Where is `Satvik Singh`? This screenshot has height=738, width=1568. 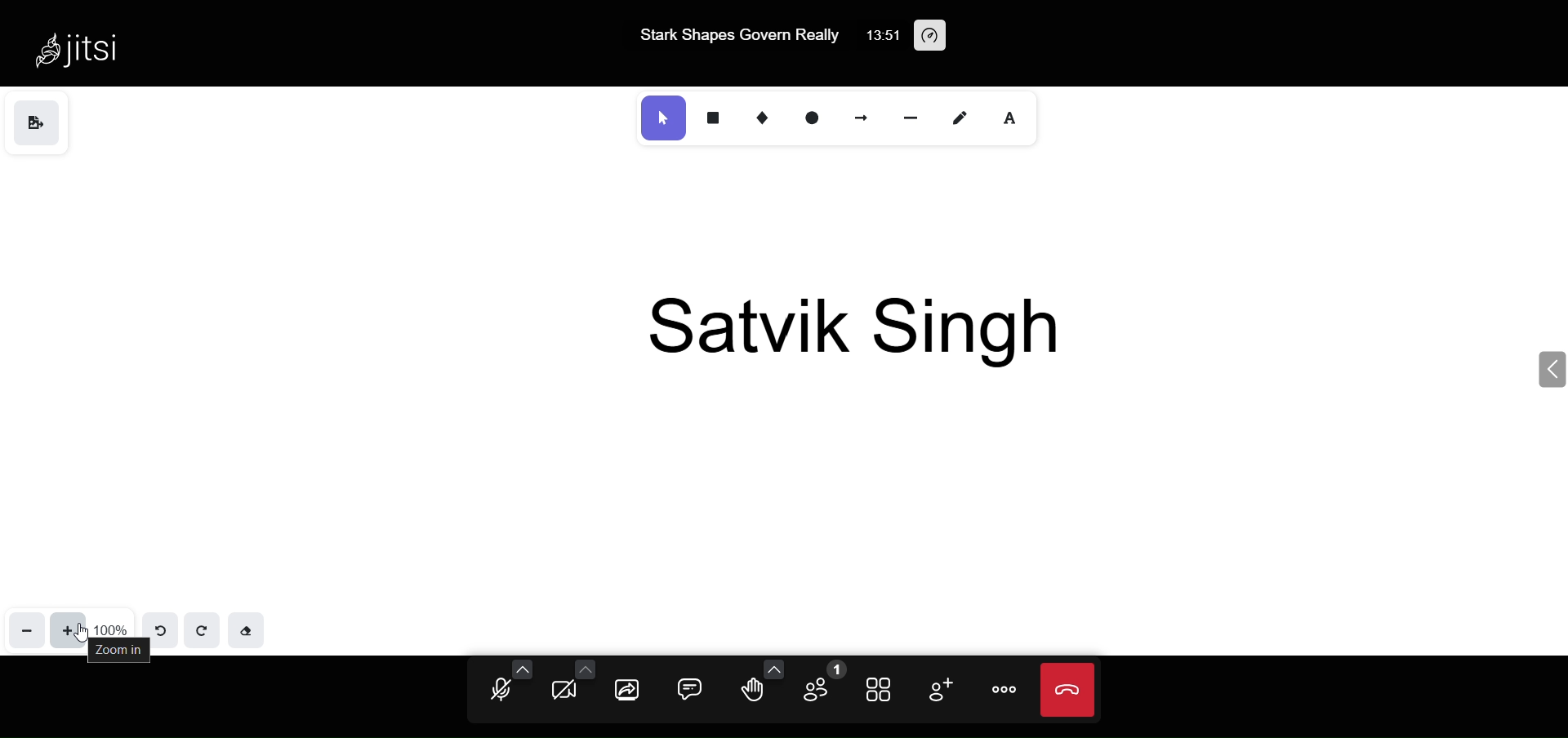 Satvik Singh is located at coordinates (861, 332).